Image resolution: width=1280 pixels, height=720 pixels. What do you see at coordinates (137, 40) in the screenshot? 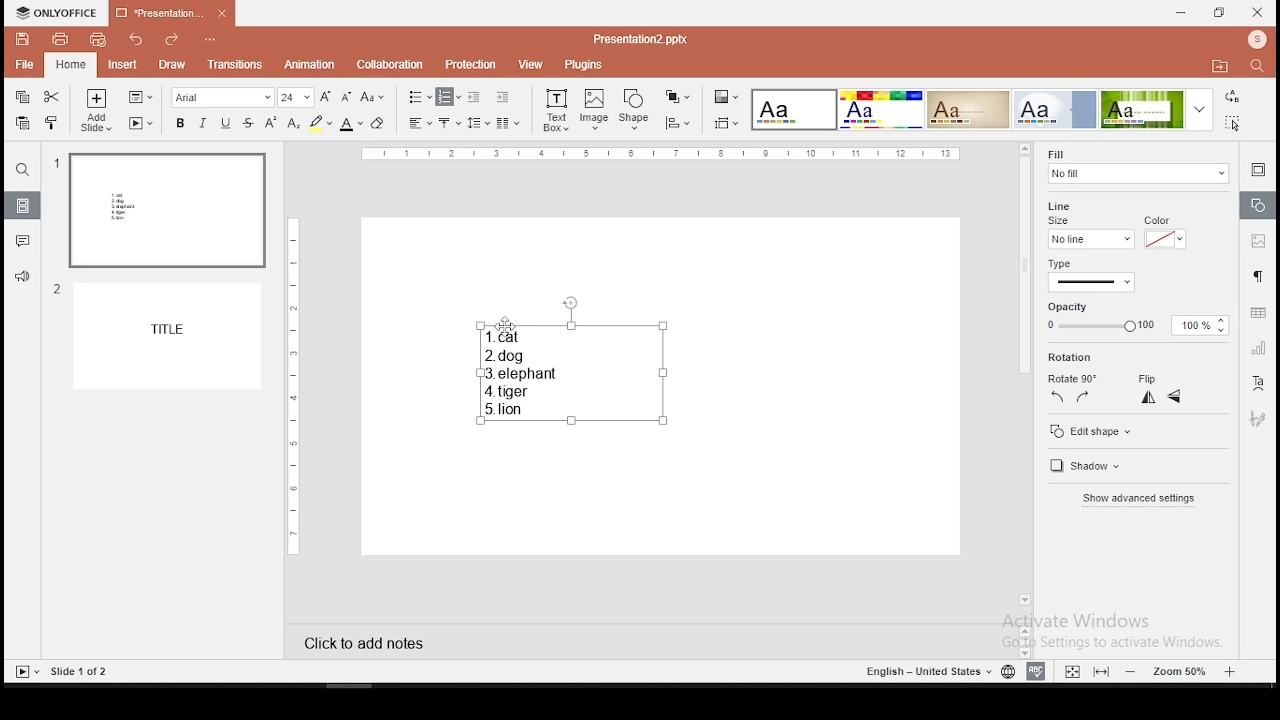
I see `undo` at bounding box center [137, 40].